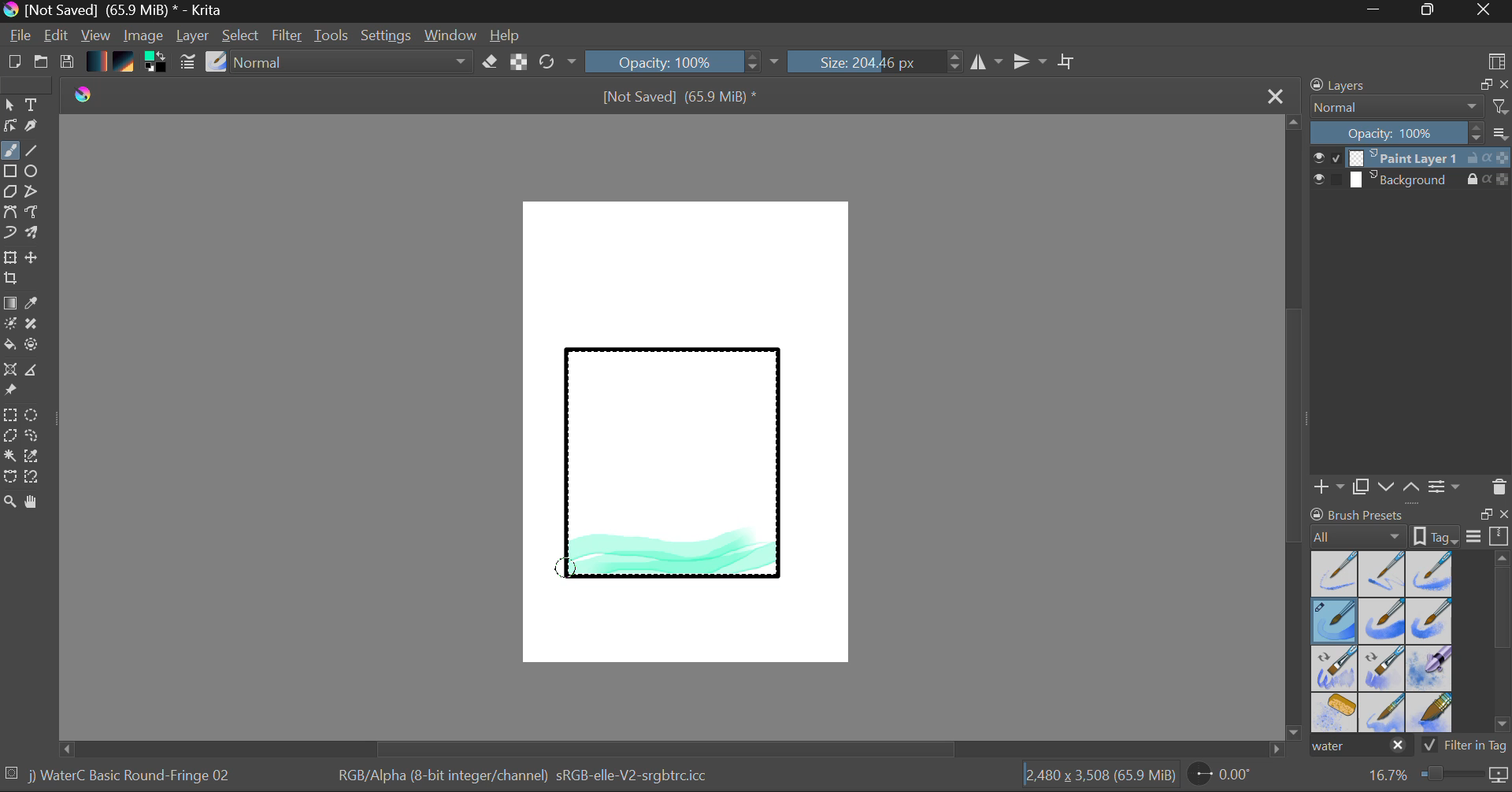 The height and width of the screenshot is (792, 1512). I want to click on Polygon, so click(9, 192).